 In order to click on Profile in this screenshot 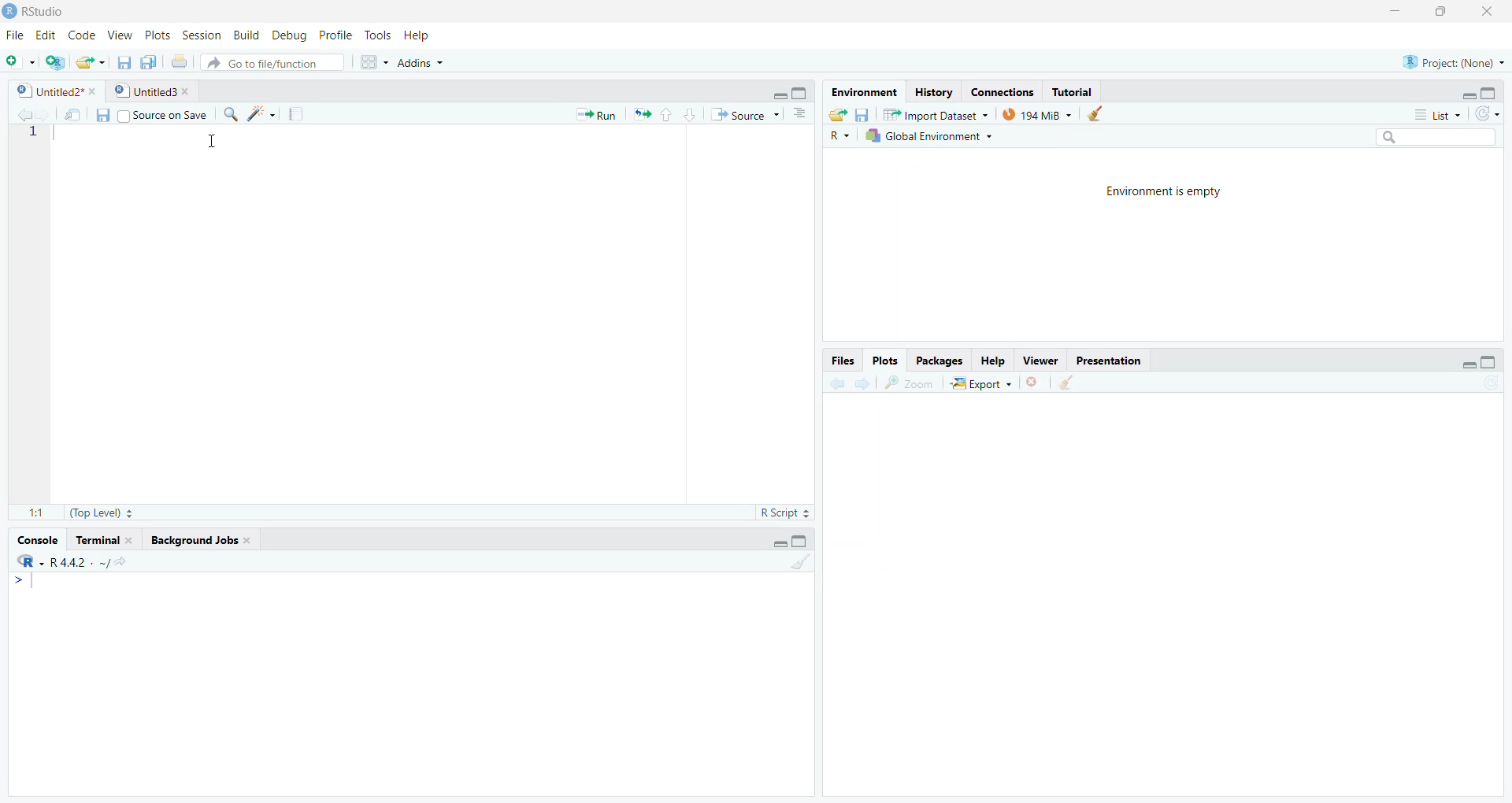, I will do `click(335, 35)`.